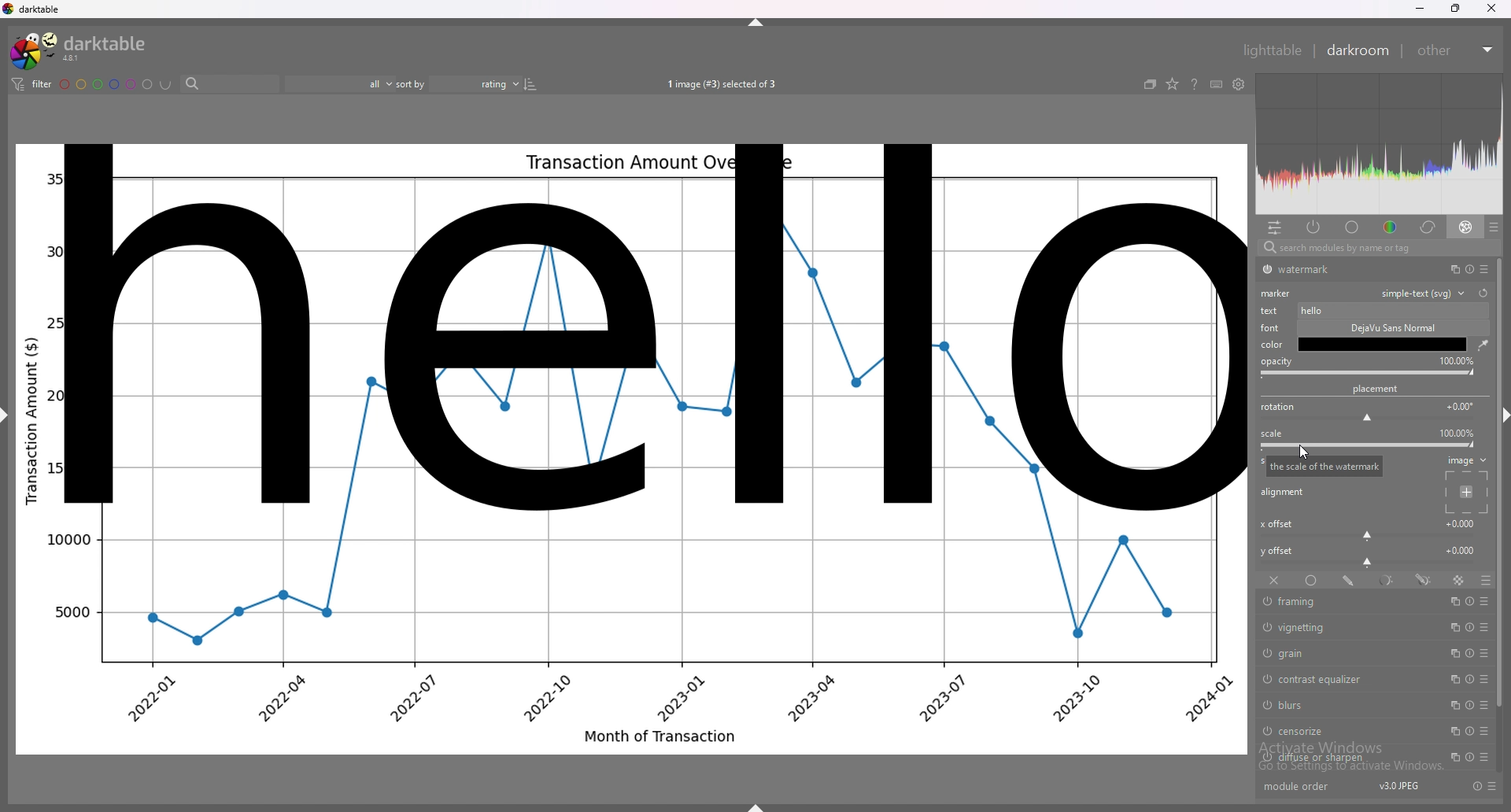 This screenshot has width=1511, height=812. Describe the element at coordinates (1450, 758) in the screenshot. I see `multiple instances action` at that location.